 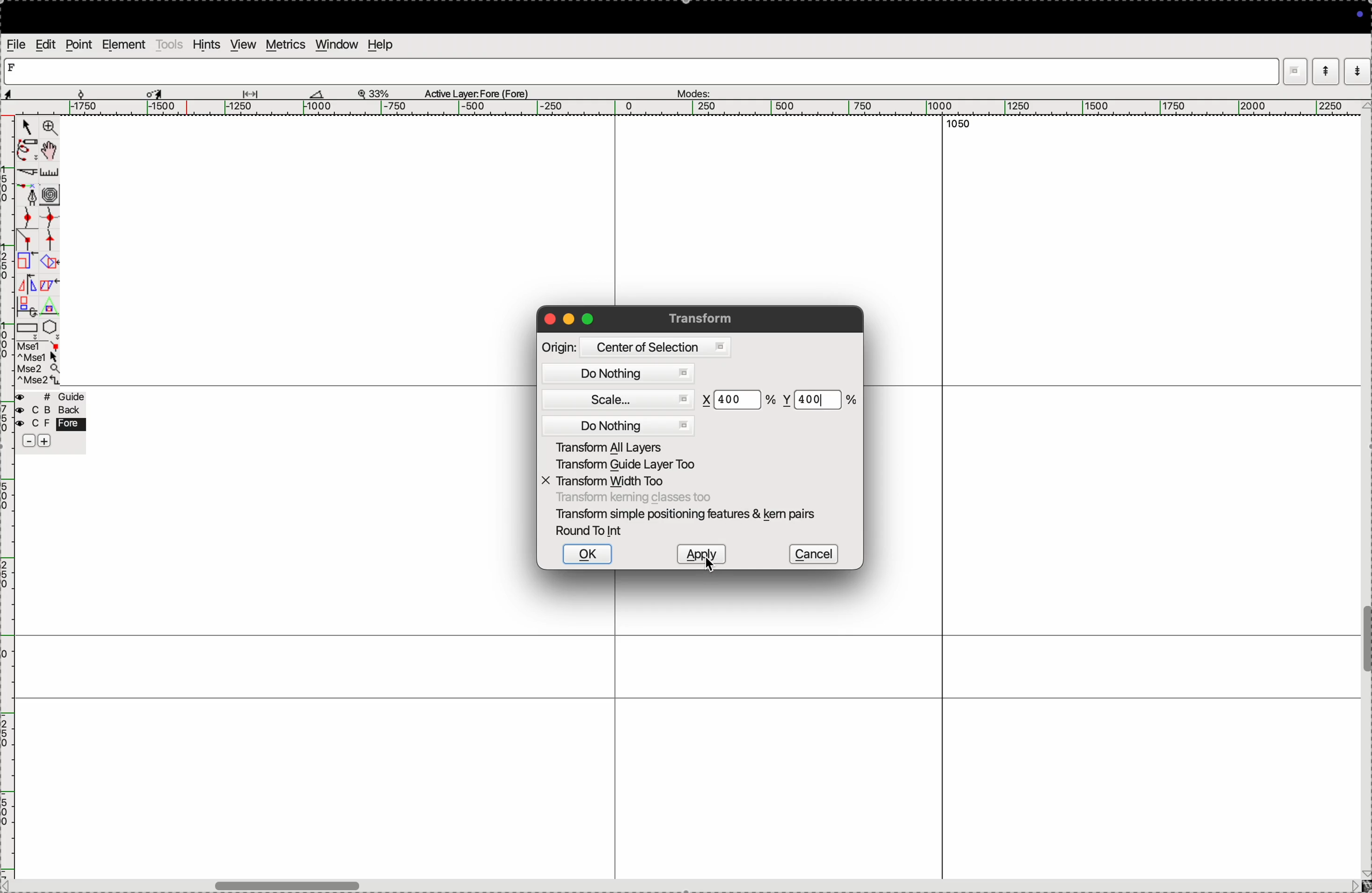 What do you see at coordinates (46, 443) in the screenshot?
I see `add` at bounding box center [46, 443].